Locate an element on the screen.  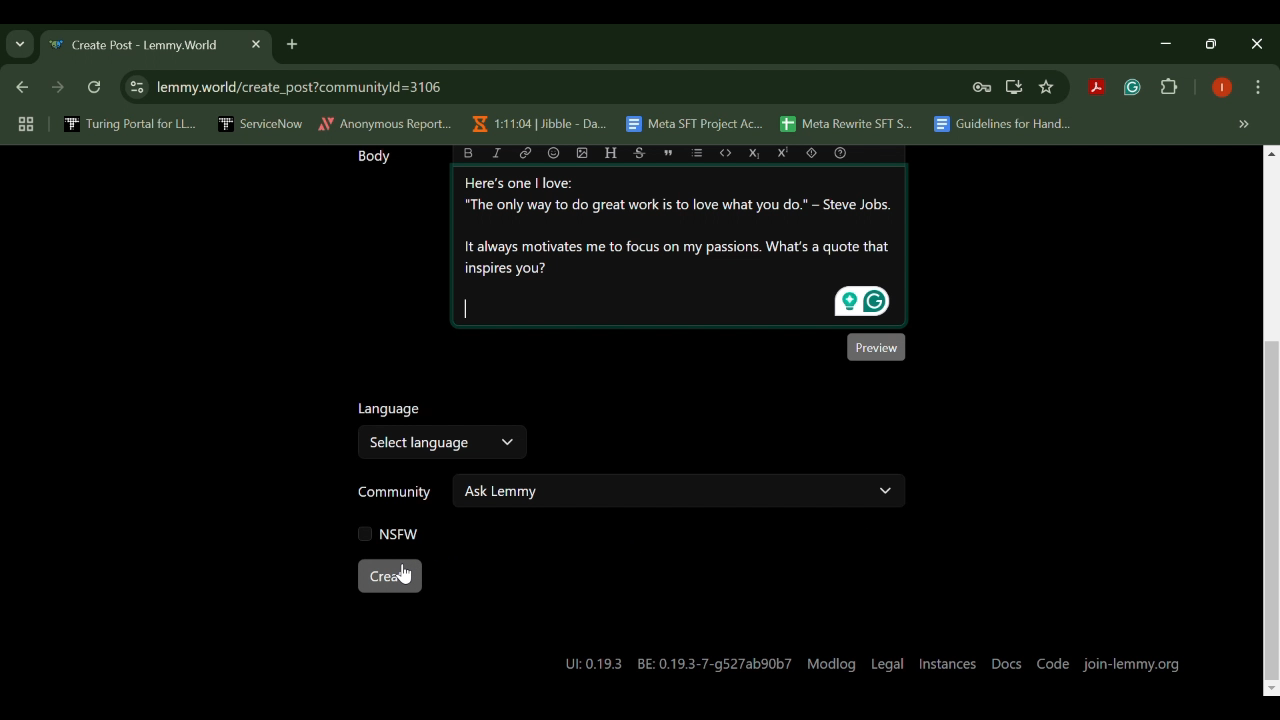
Acrobat Extension is located at coordinates (1096, 88).